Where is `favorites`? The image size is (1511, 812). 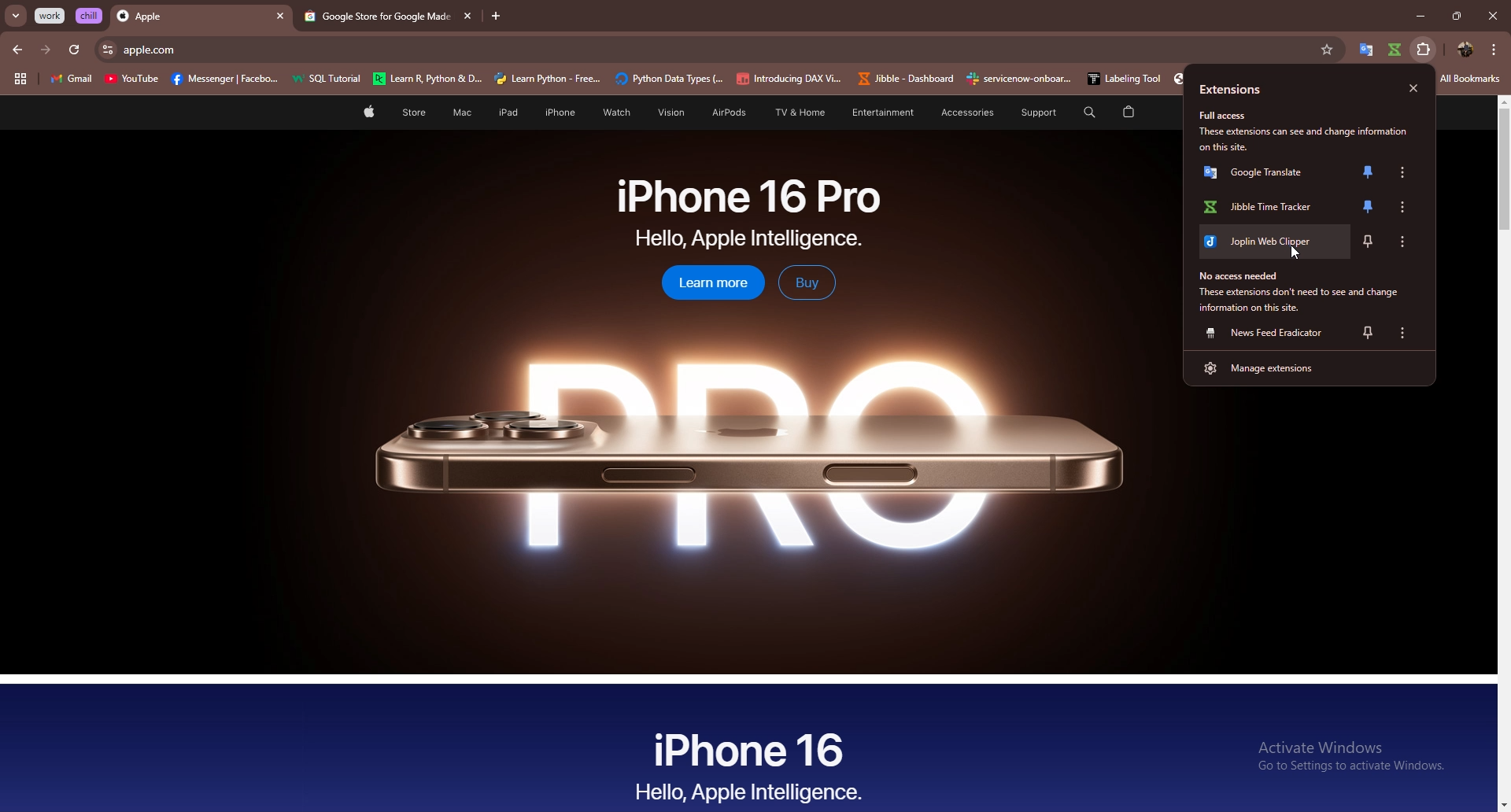
favorites is located at coordinates (1326, 50).